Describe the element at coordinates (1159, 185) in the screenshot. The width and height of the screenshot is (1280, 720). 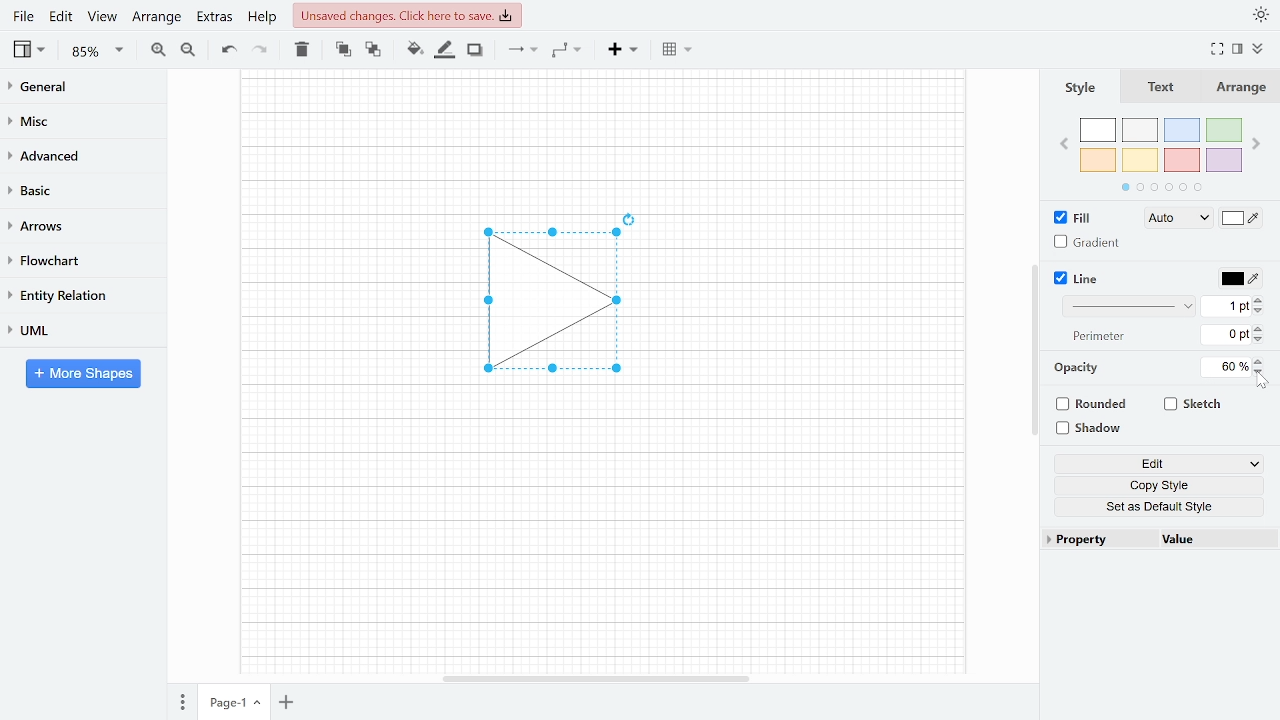
I see `pages in color section` at that location.